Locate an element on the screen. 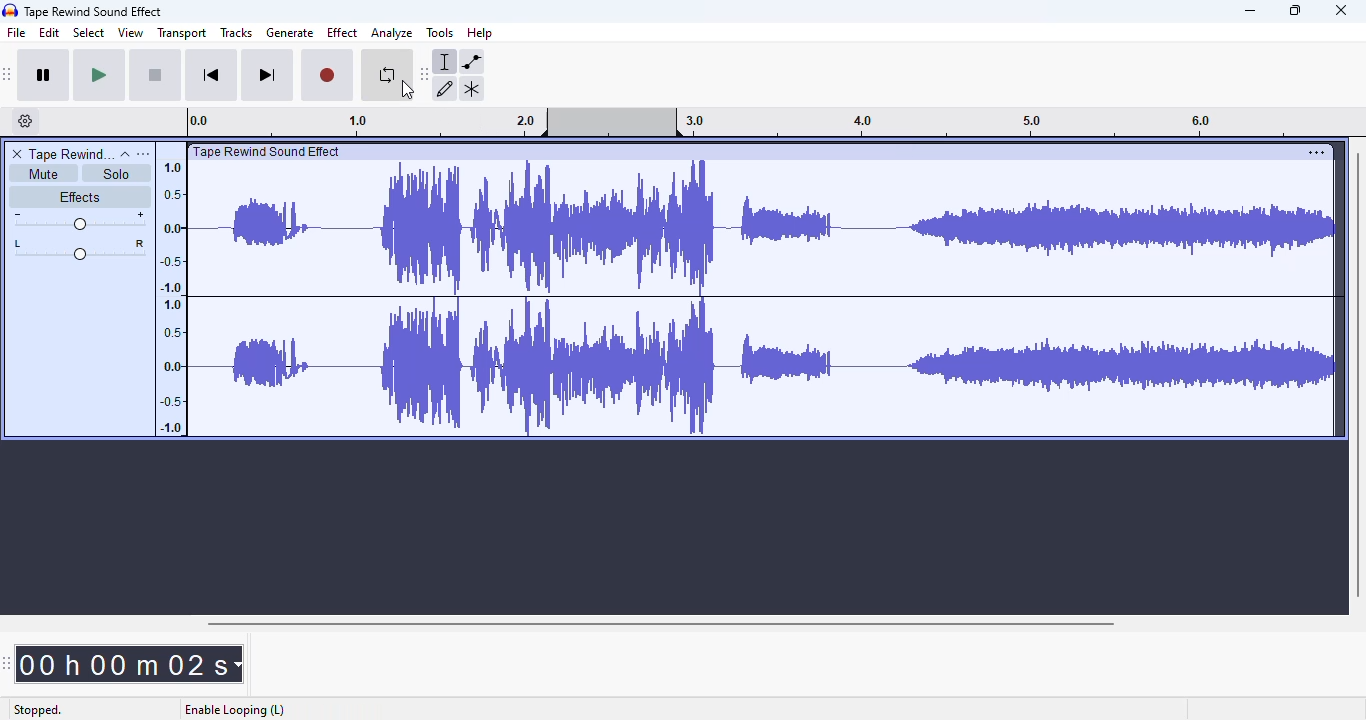  minimize is located at coordinates (1250, 11).